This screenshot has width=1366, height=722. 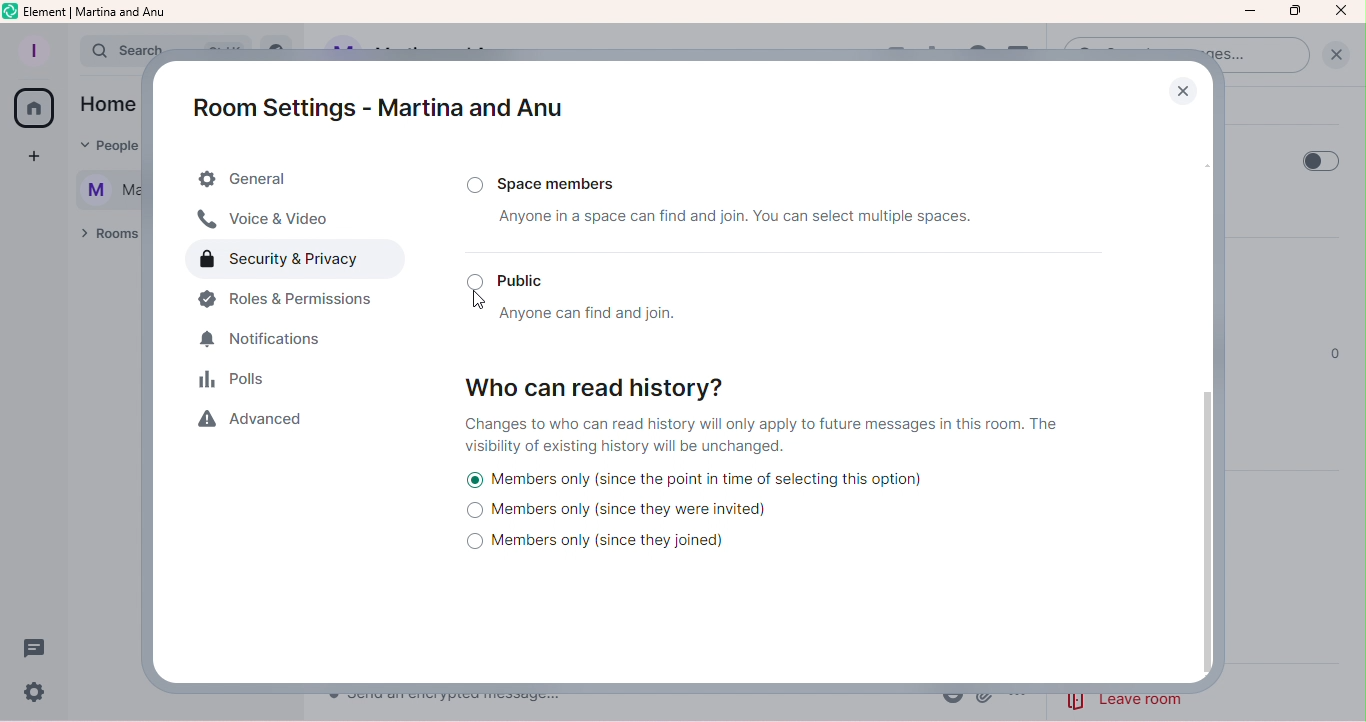 I want to click on Notifications, so click(x=271, y=340).